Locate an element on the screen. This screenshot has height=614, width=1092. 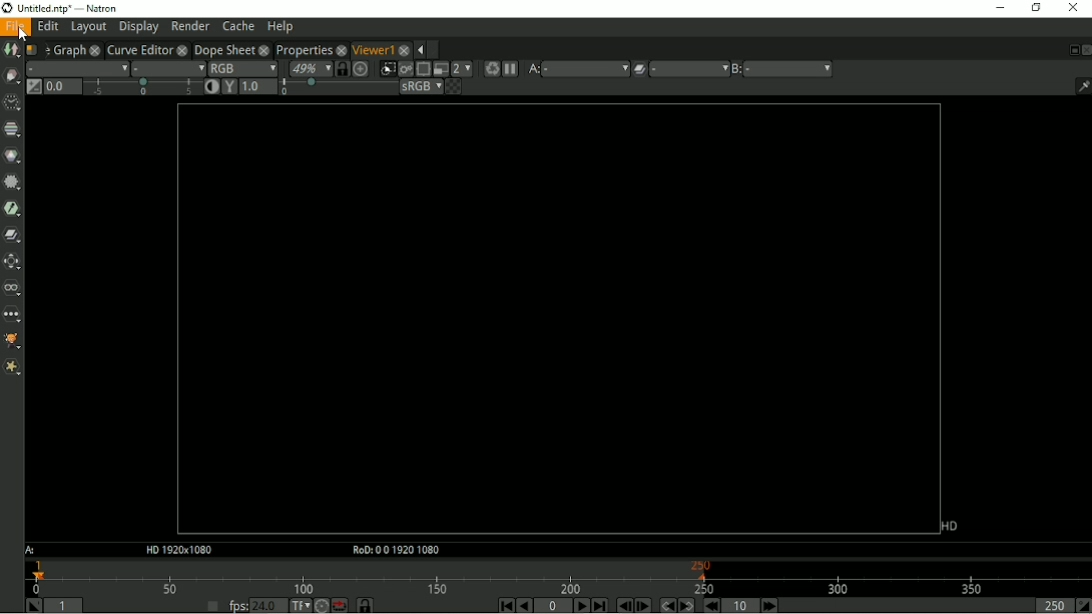
Image is located at coordinates (11, 50).